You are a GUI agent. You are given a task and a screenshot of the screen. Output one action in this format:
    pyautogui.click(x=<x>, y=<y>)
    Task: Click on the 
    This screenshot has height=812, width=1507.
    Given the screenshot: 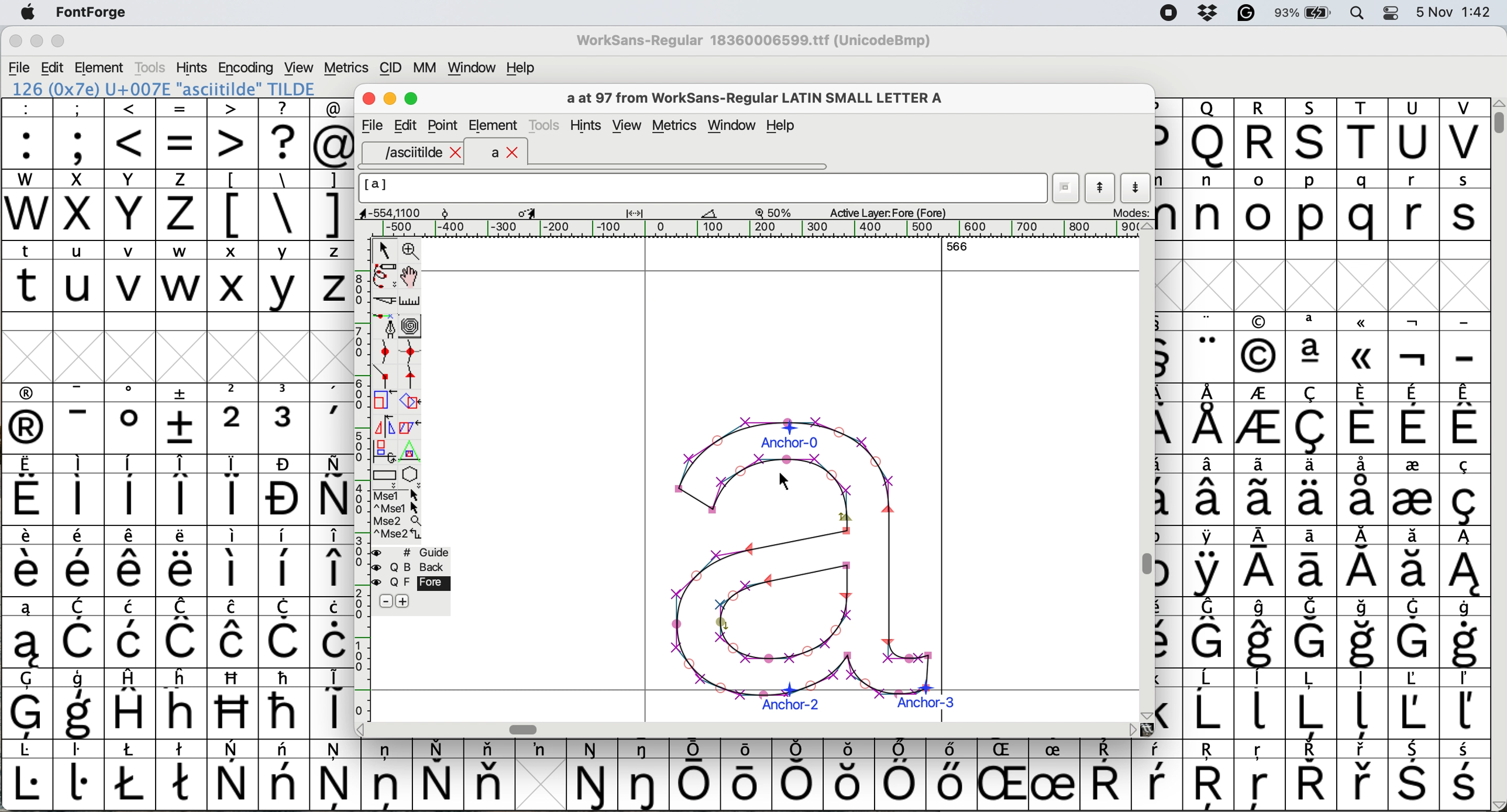 What is the action you would take?
    pyautogui.click(x=183, y=703)
    